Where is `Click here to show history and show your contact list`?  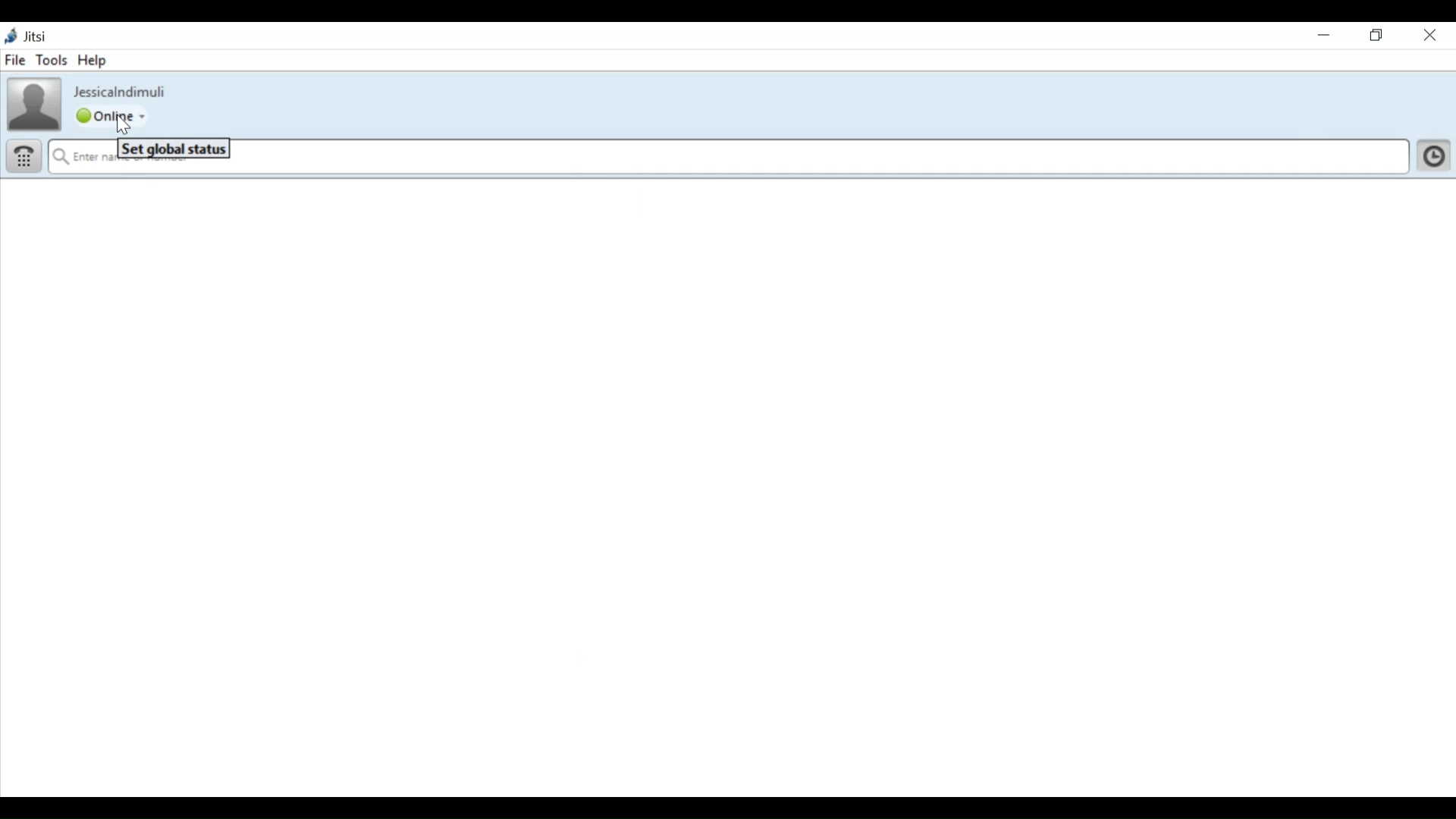
Click here to show history and show your contact list is located at coordinates (1434, 155).